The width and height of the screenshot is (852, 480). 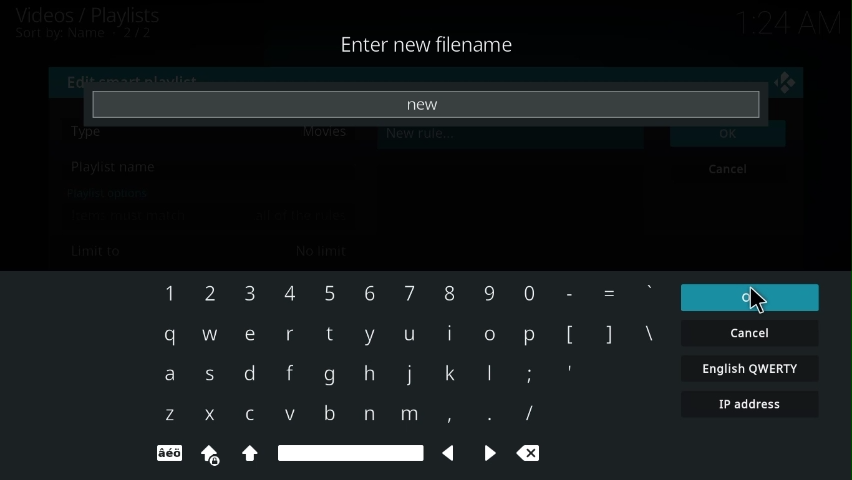 What do you see at coordinates (451, 452) in the screenshot?
I see `back` at bounding box center [451, 452].